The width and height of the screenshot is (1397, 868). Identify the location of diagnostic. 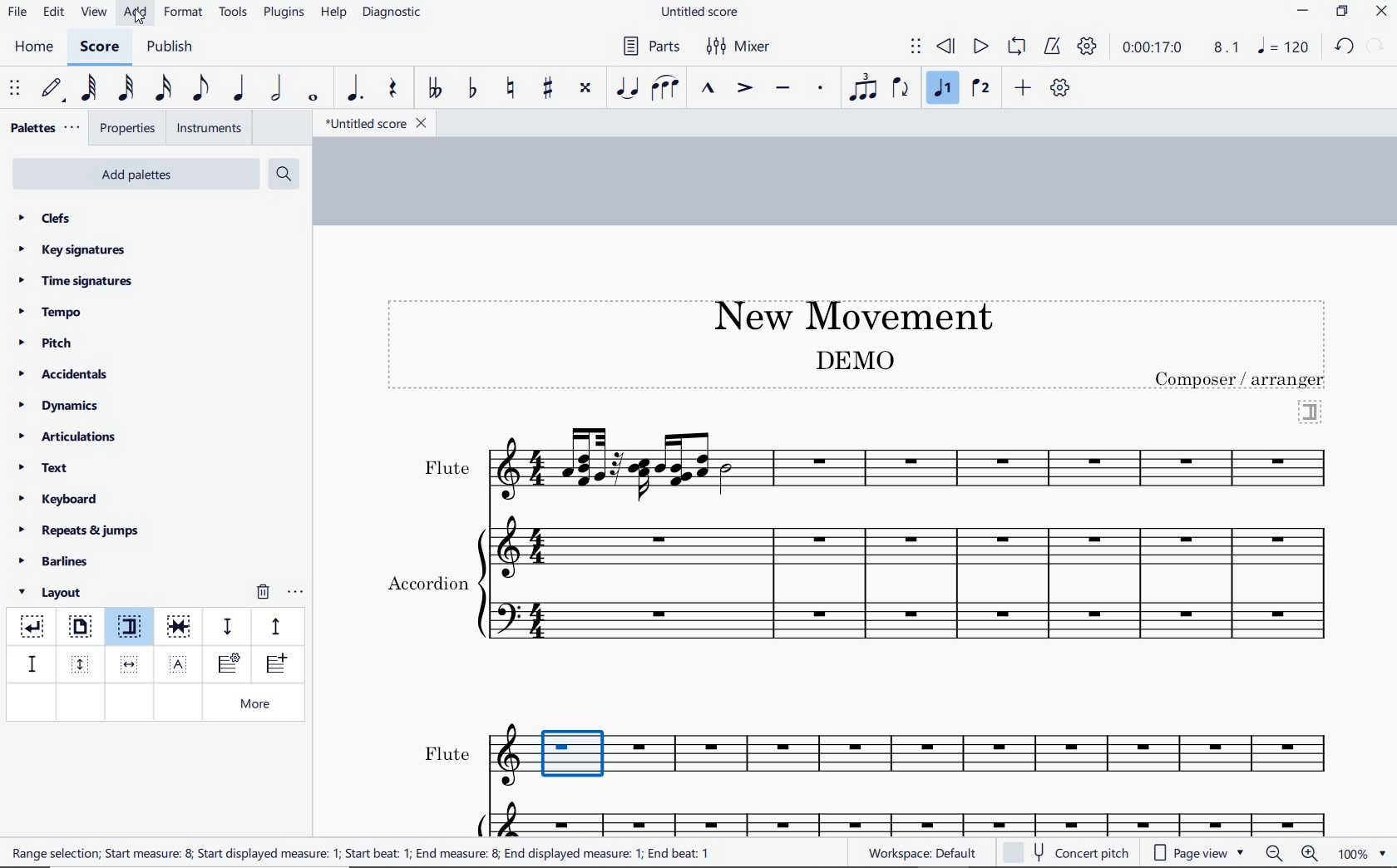
(394, 14).